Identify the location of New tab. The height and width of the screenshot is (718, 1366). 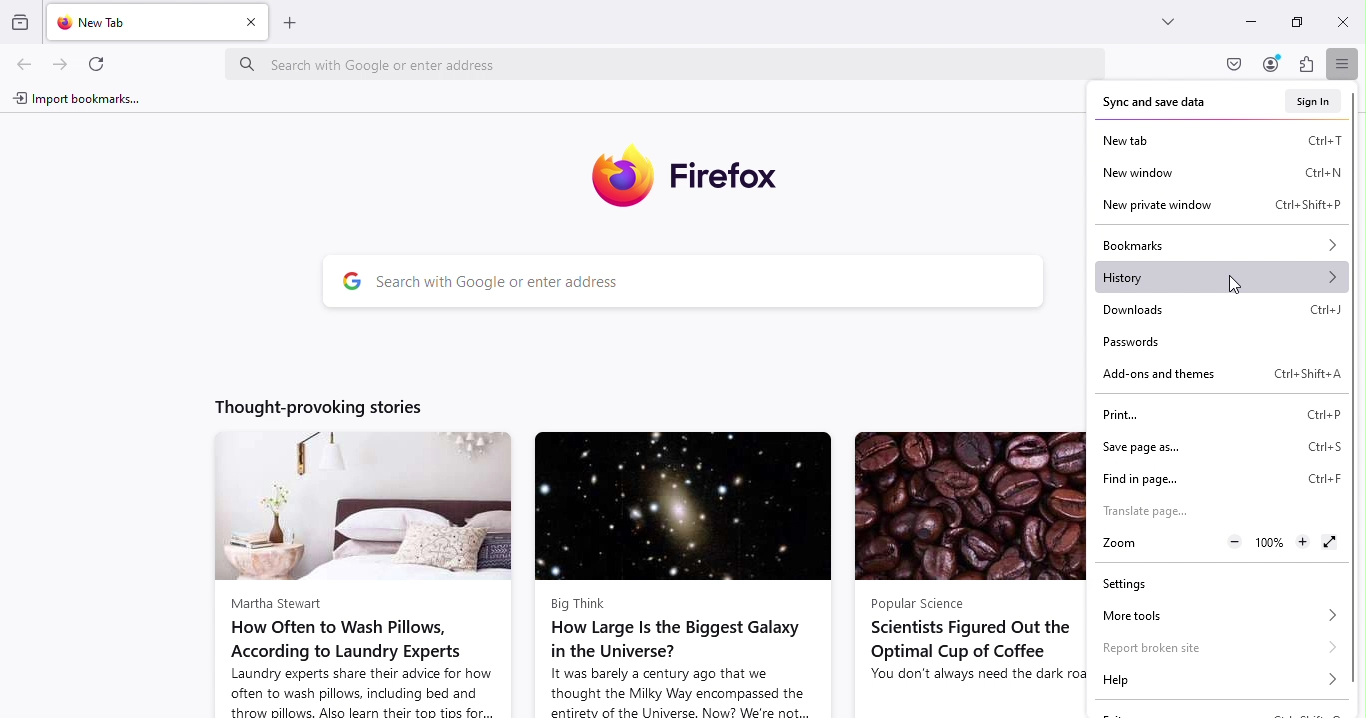
(1222, 139).